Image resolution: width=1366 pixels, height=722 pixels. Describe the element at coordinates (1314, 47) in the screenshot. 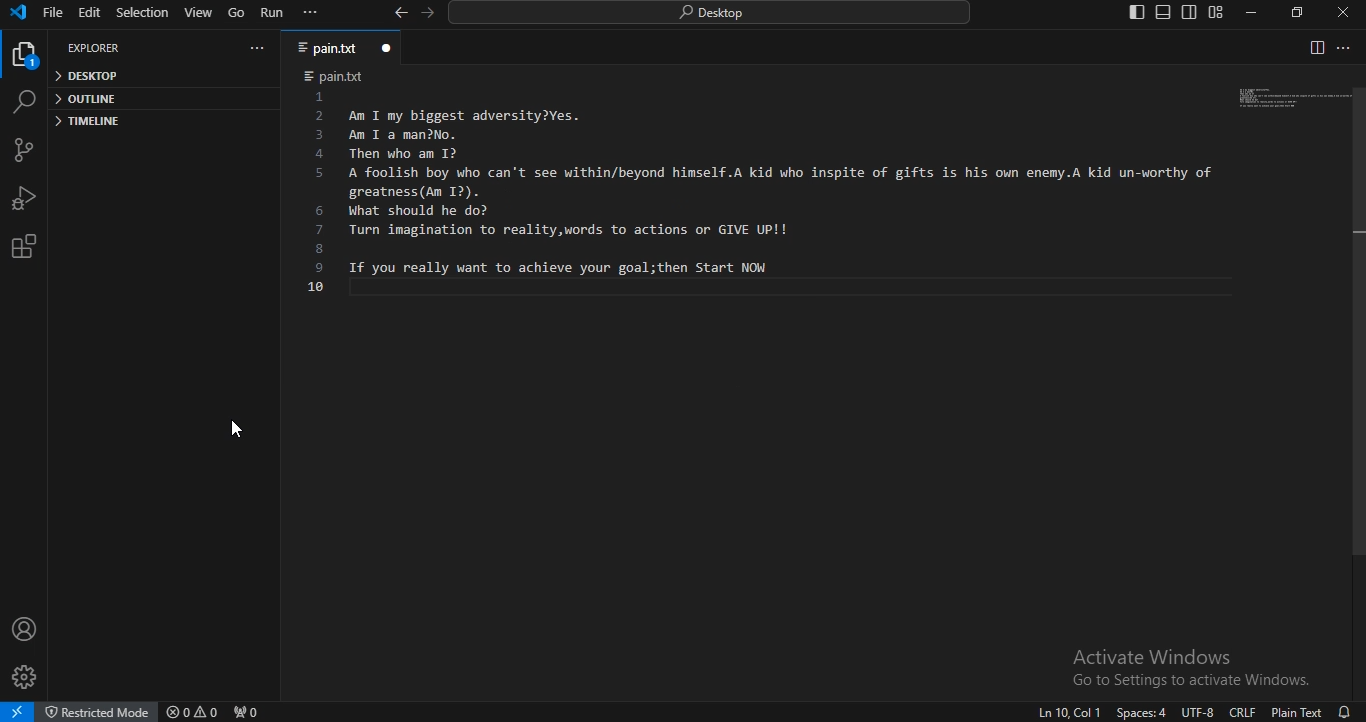

I see `split editor right` at that location.